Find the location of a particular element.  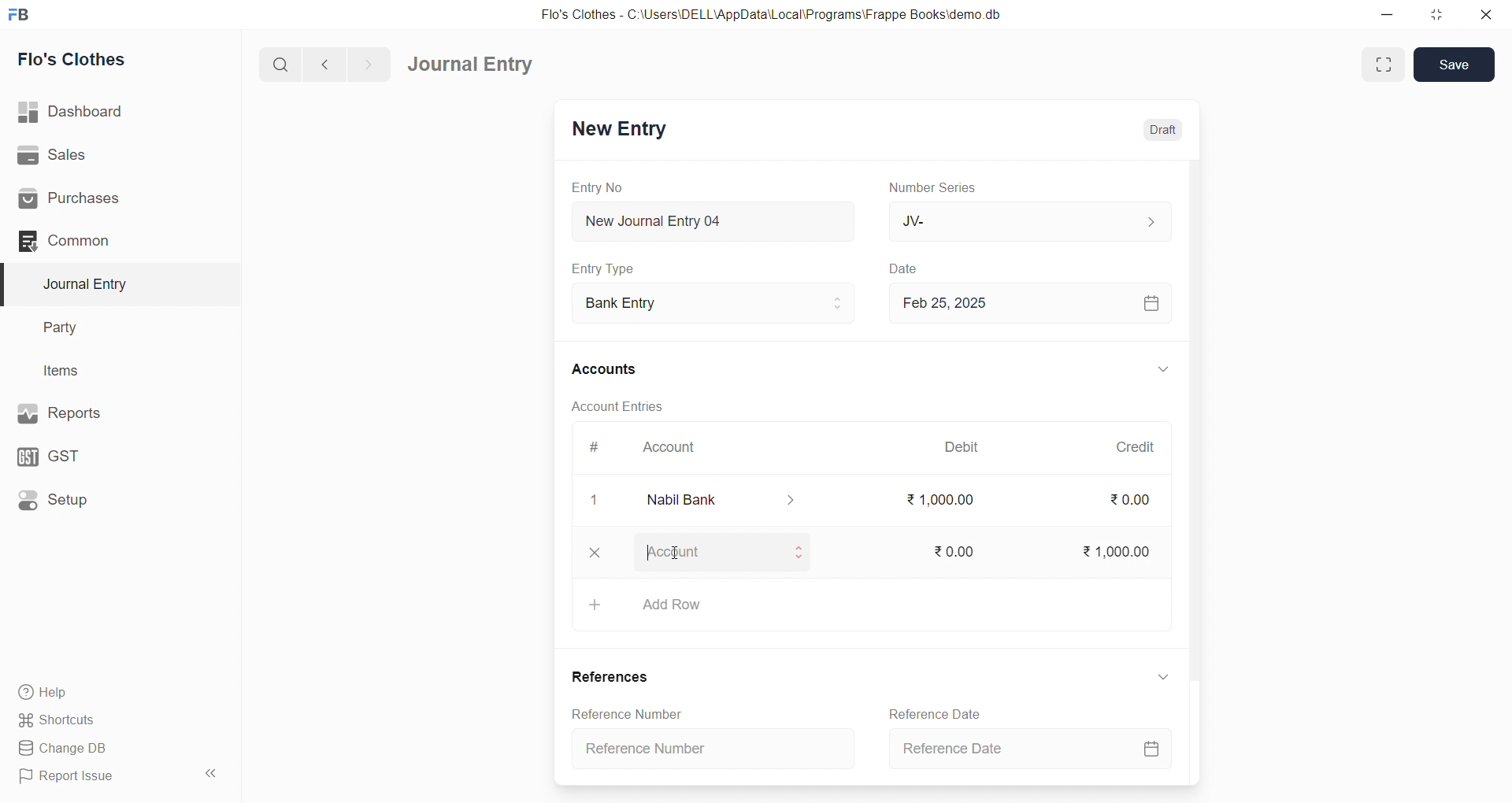

New Entry is located at coordinates (617, 131).